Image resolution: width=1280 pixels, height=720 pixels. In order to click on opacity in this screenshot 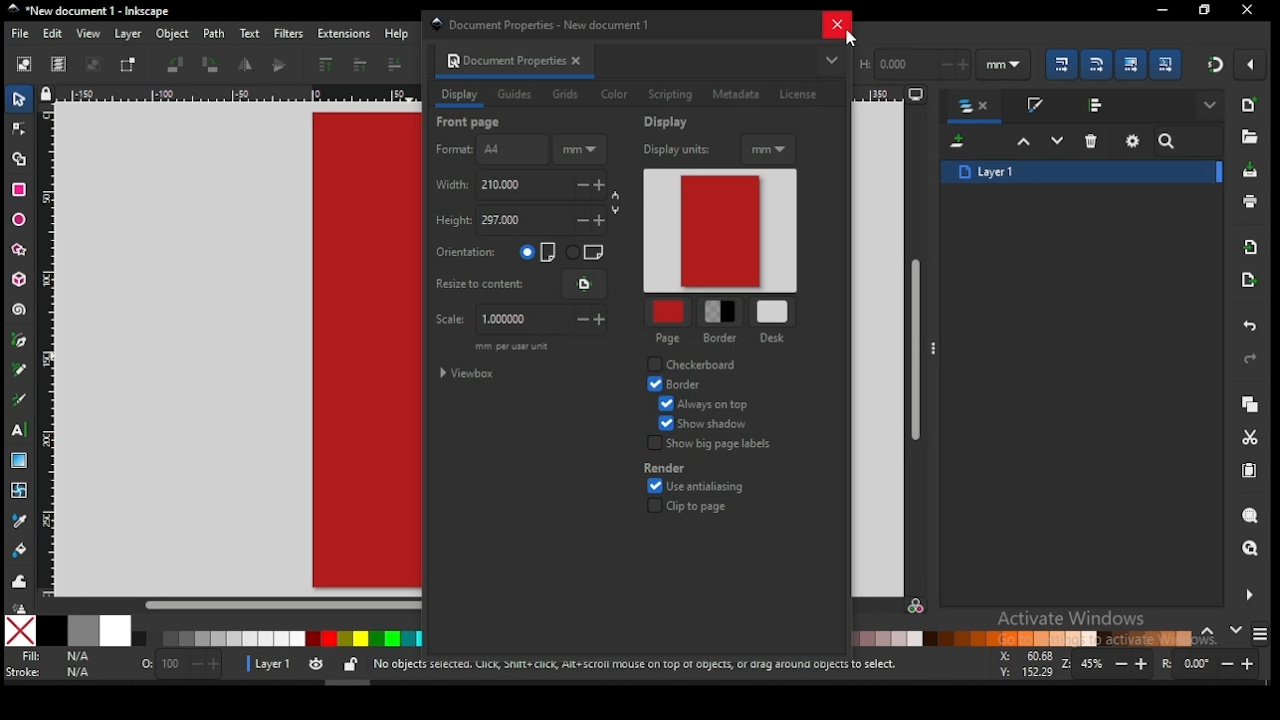, I will do `click(179, 667)`.